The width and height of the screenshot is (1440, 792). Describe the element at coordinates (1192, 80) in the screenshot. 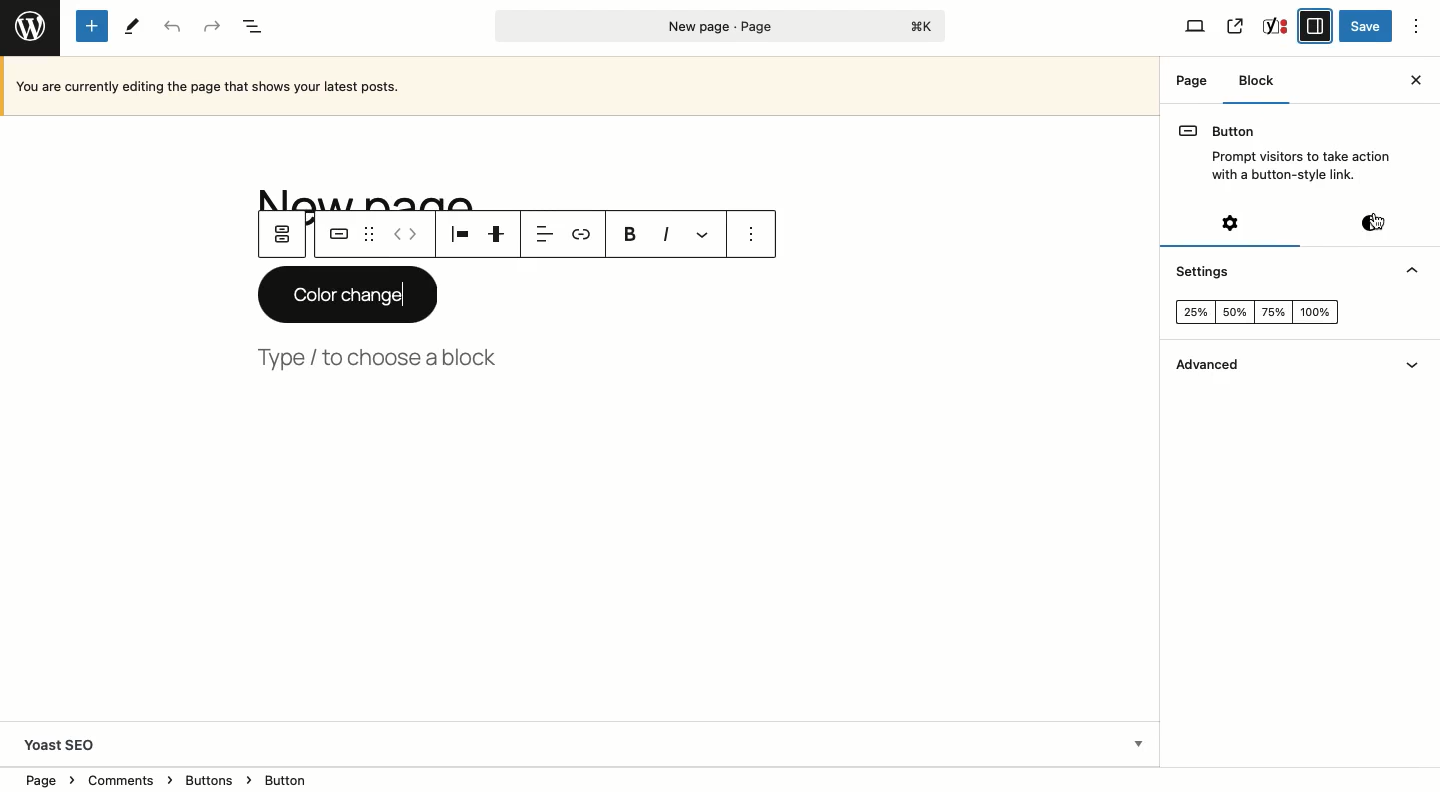

I see `Page` at that location.